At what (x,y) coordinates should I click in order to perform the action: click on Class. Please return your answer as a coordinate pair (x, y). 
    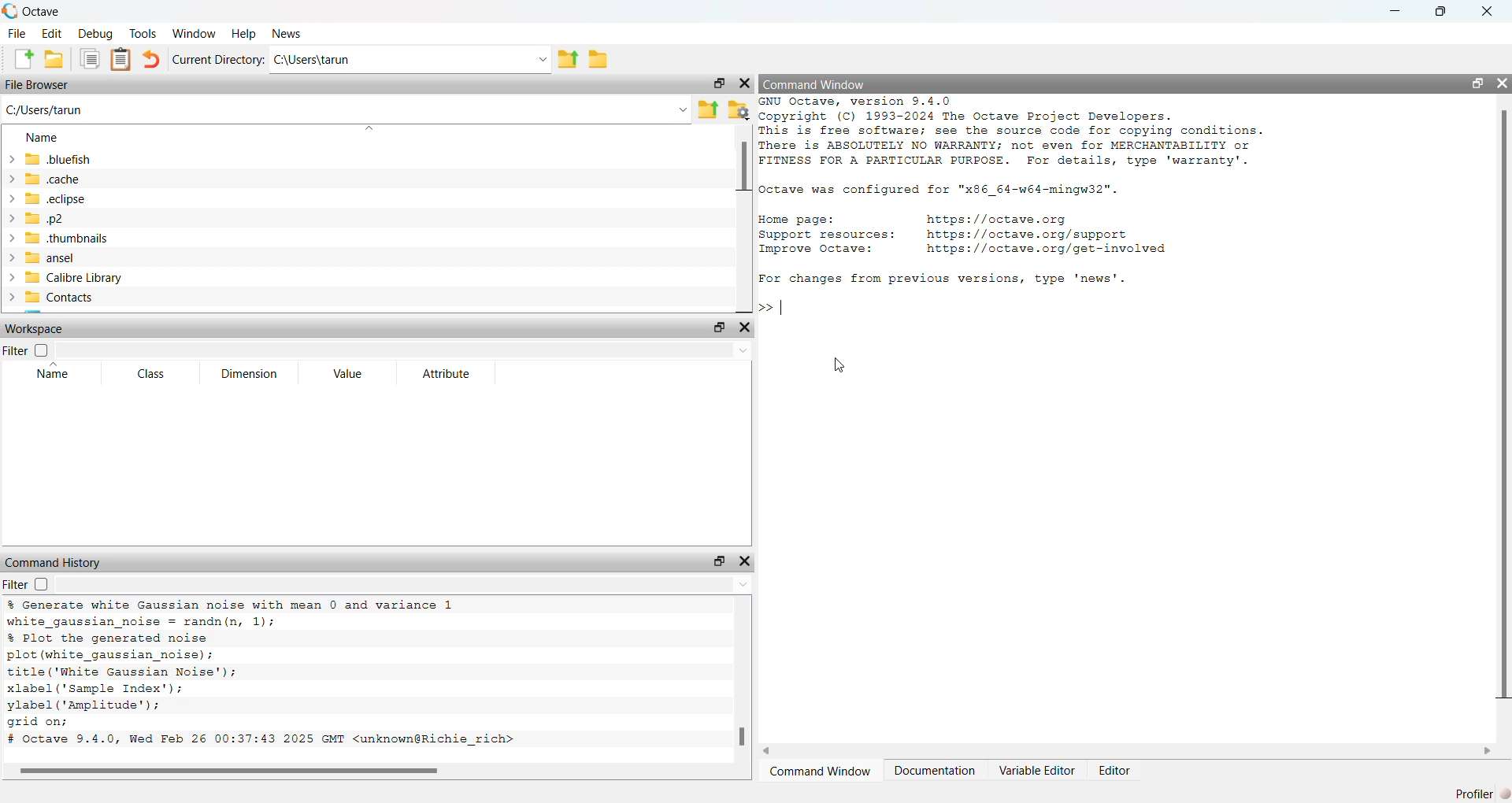
    Looking at the image, I should click on (149, 376).